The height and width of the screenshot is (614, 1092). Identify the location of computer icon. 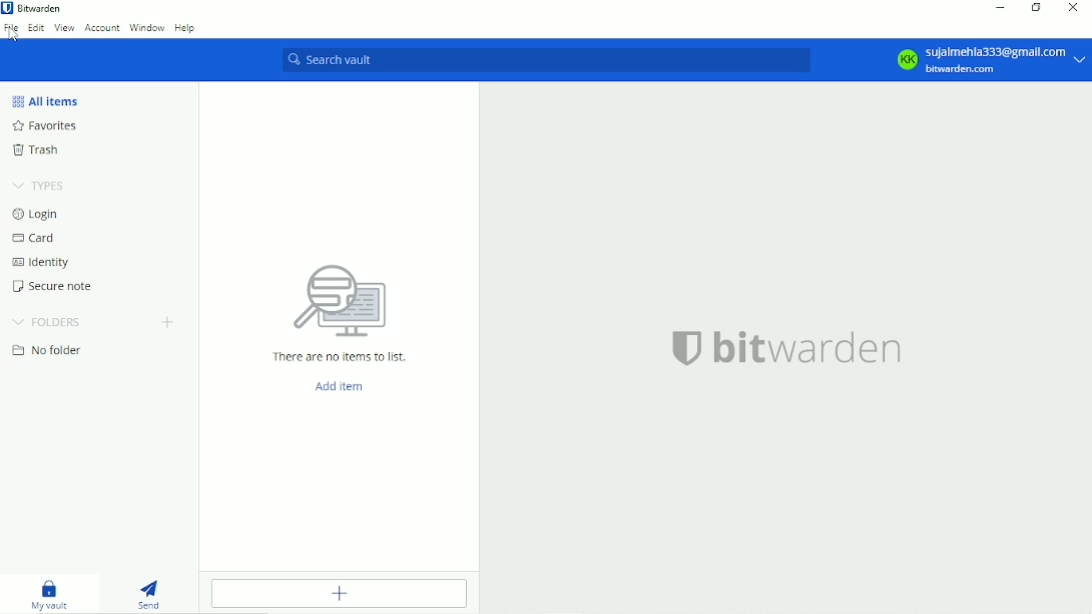
(332, 302).